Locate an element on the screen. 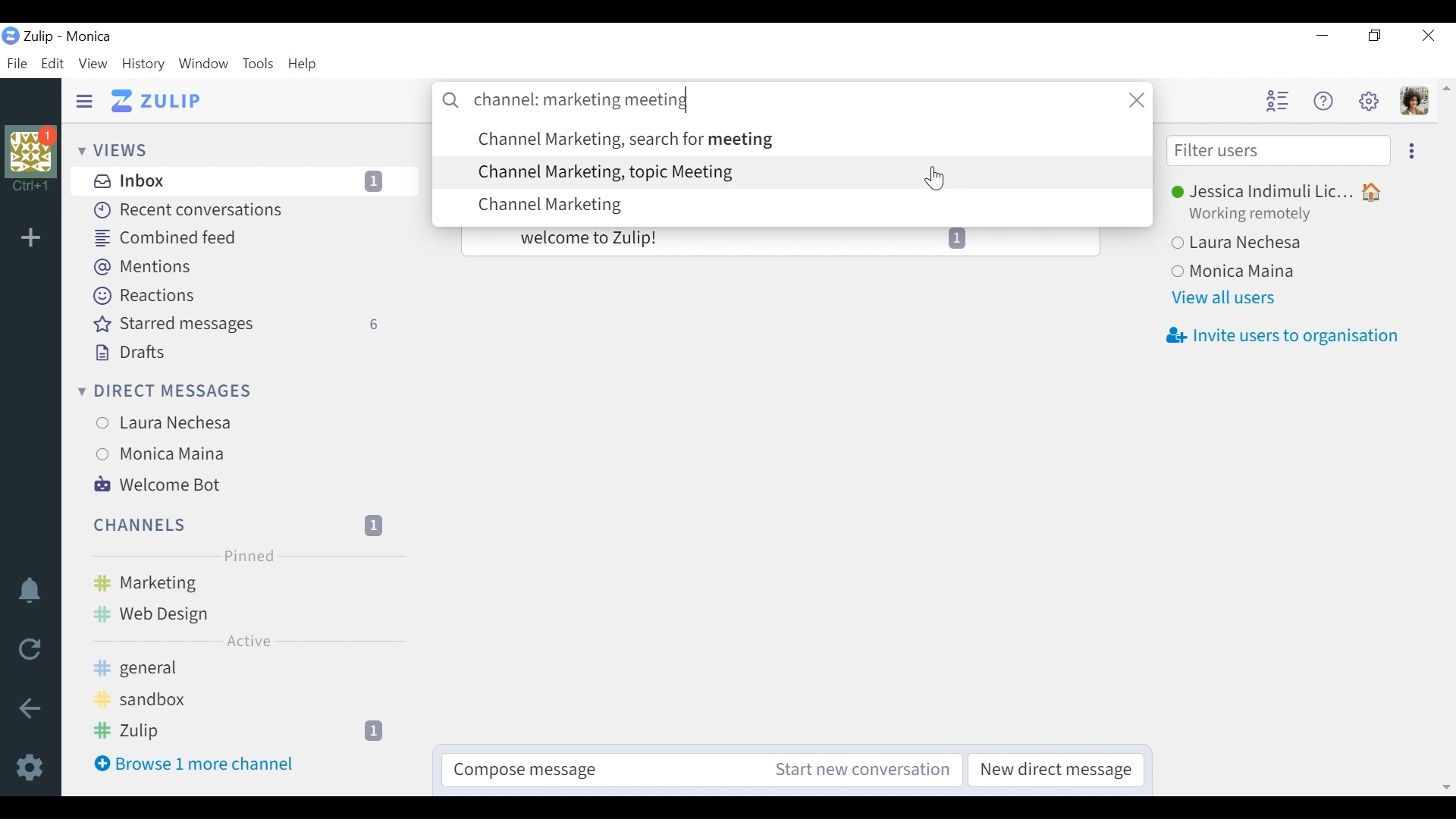 This screenshot has height=819, width=1456. search option: Channel Marketing is located at coordinates (789, 203).